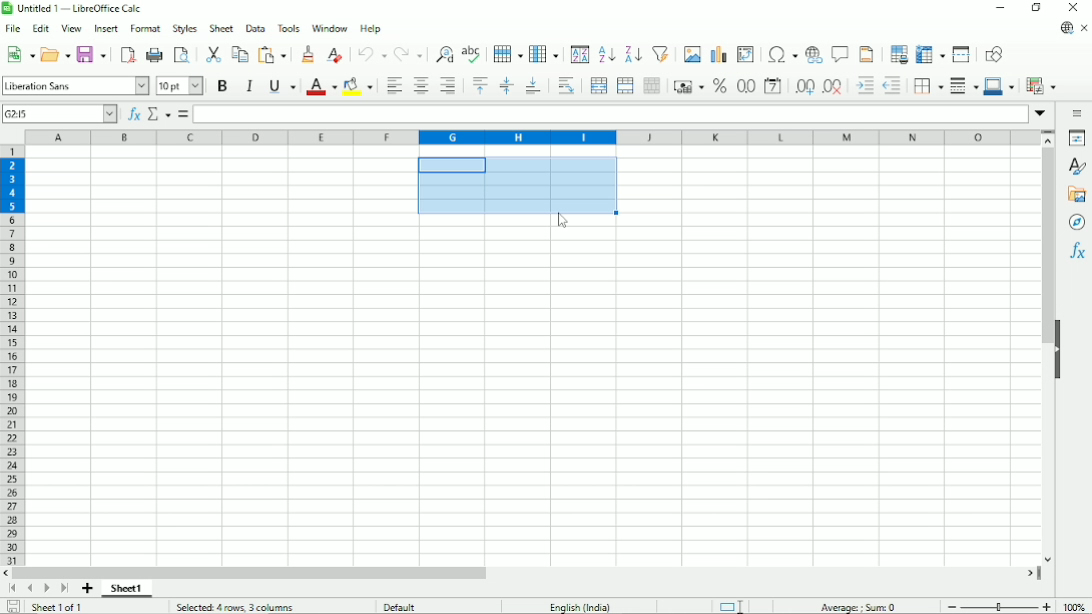  Describe the element at coordinates (999, 86) in the screenshot. I see `Border color` at that location.